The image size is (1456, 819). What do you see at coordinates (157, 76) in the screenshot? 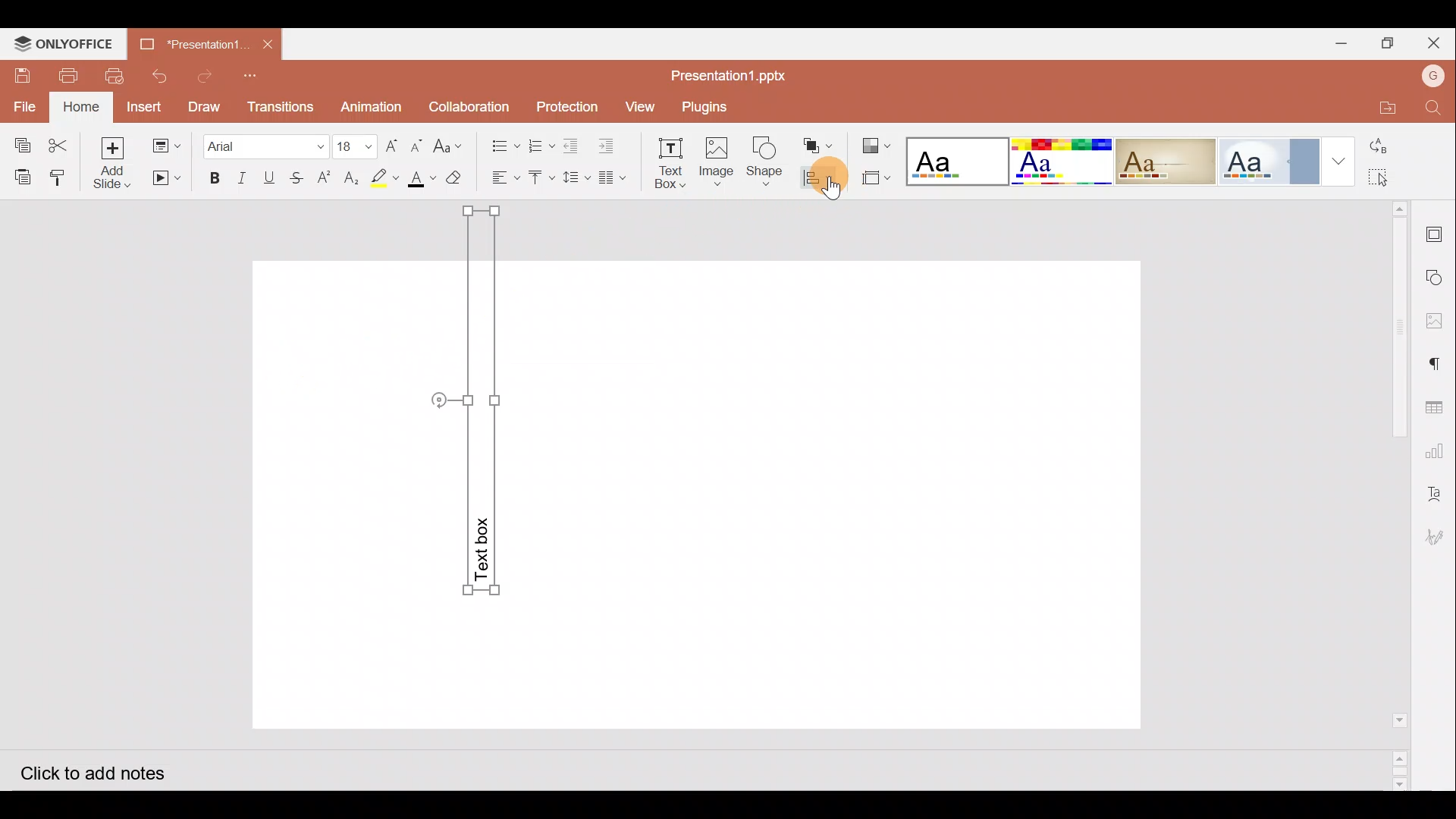
I see `Undo` at bounding box center [157, 76].